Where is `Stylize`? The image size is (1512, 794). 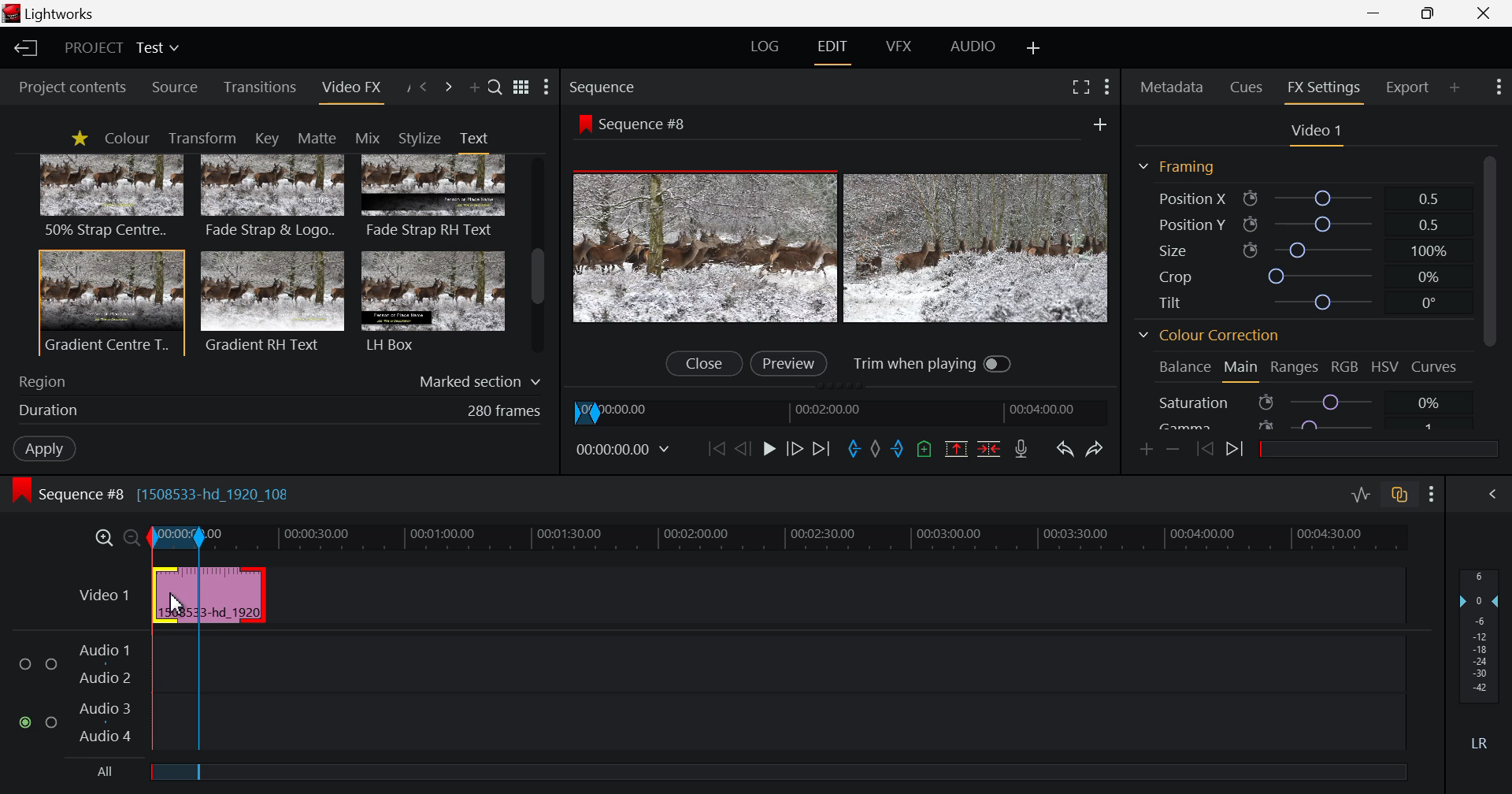 Stylize is located at coordinates (420, 138).